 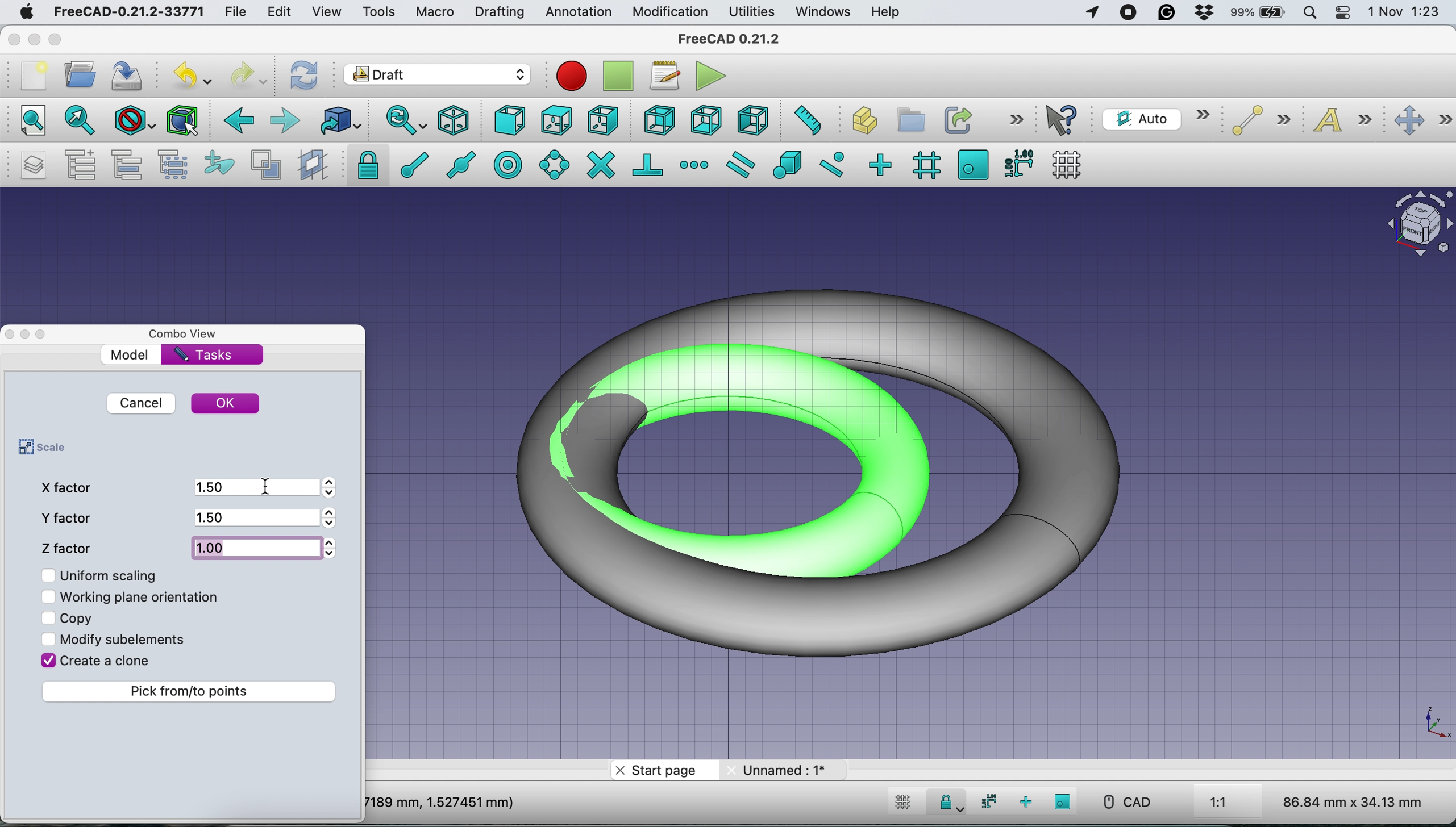 I want to click on unnamed: 1*, so click(x=785, y=770).